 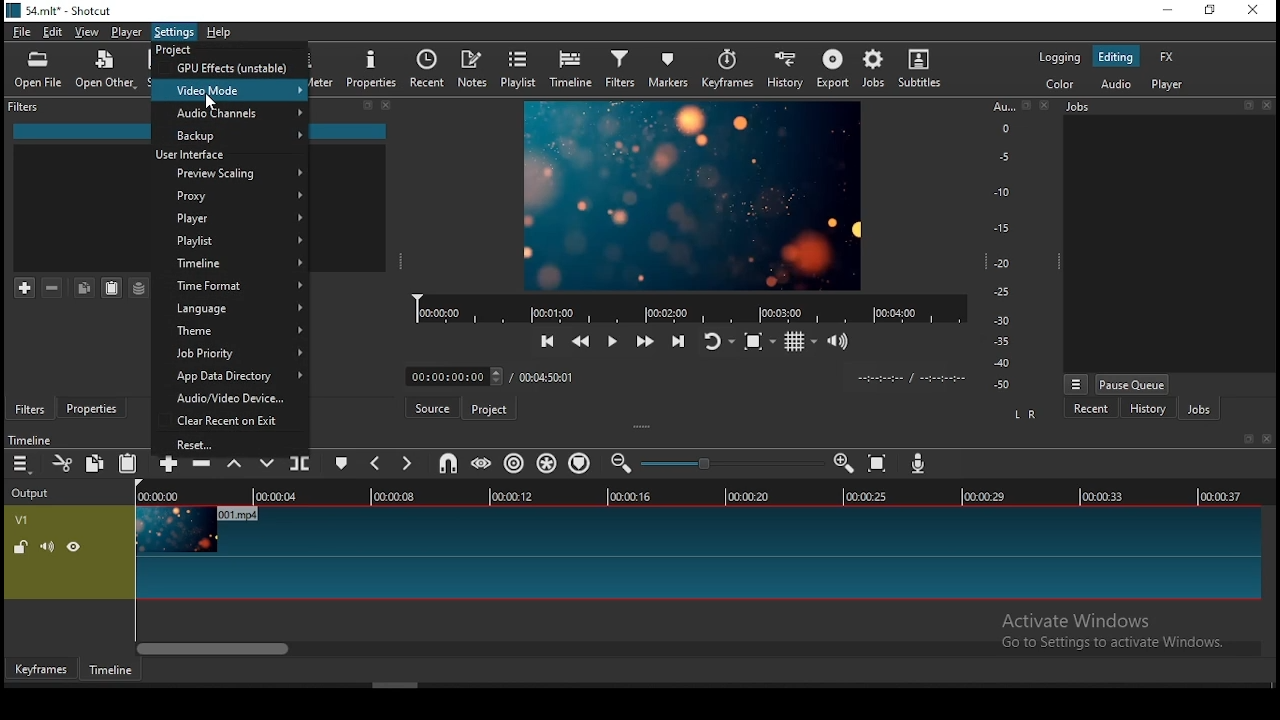 What do you see at coordinates (234, 468) in the screenshot?
I see `lift` at bounding box center [234, 468].